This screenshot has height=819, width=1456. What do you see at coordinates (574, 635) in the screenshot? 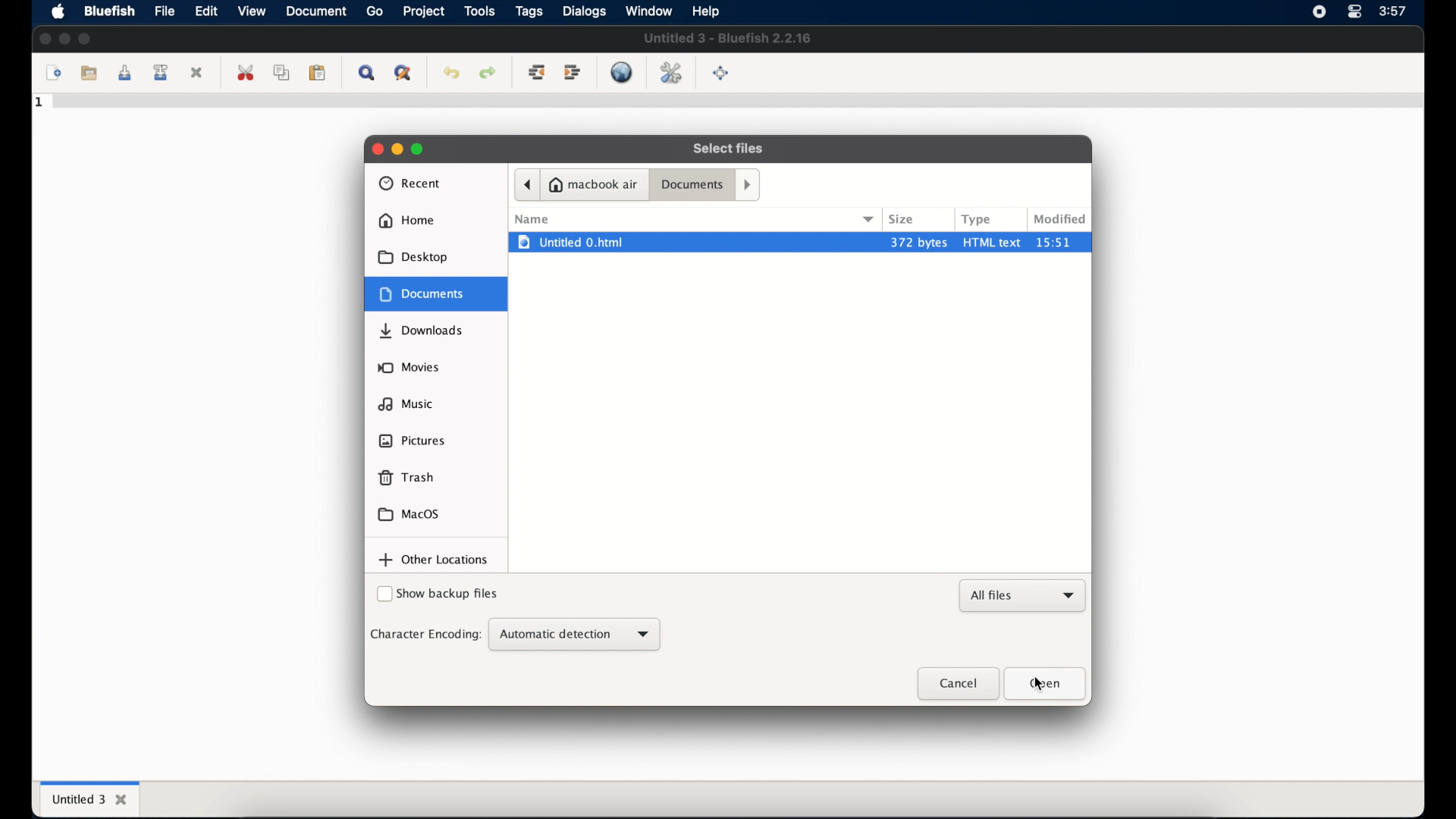
I see `automatic detection dropdown` at bounding box center [574, 635].